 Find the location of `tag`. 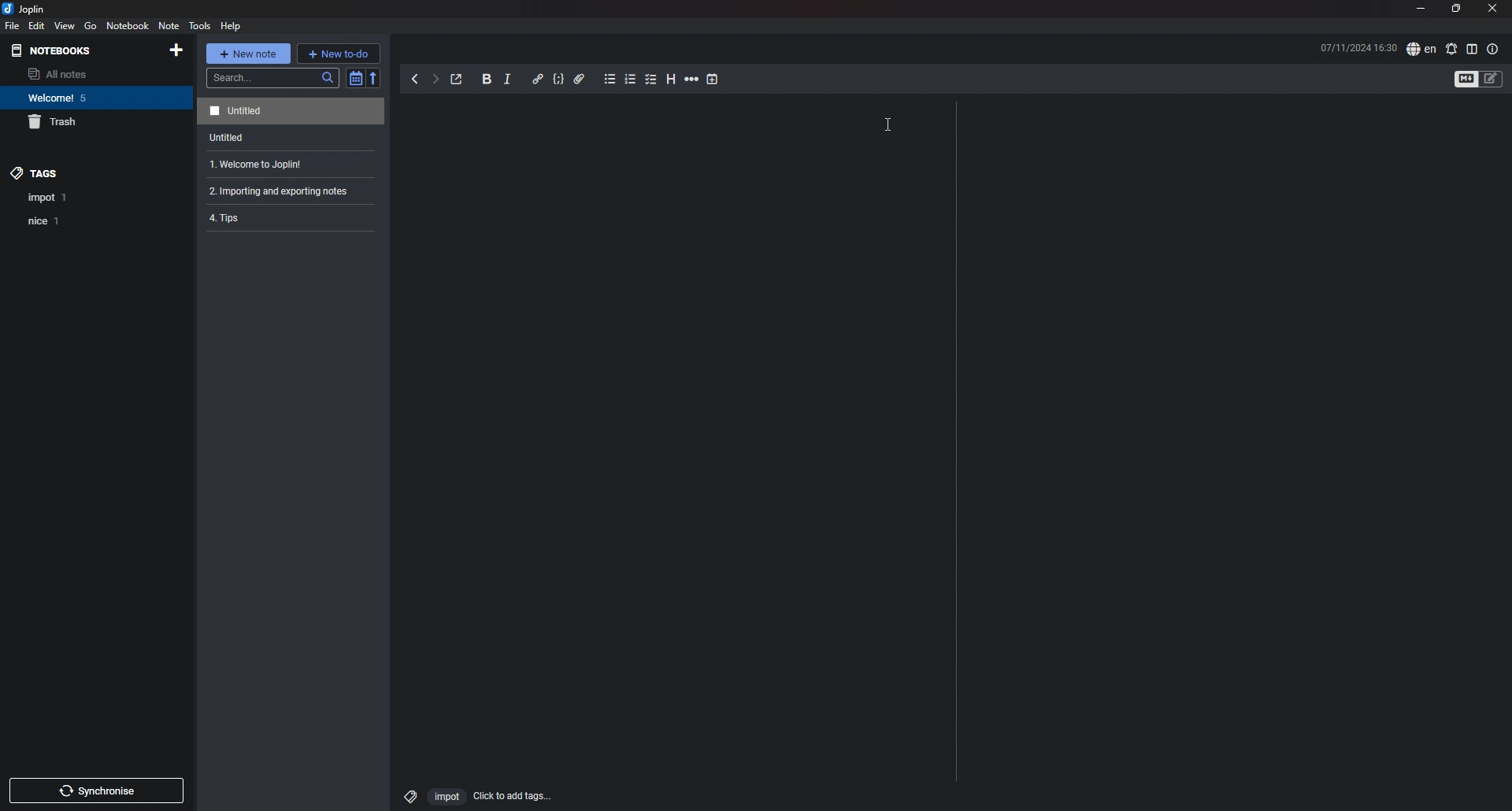

tag is located at coordinates (46, 220).